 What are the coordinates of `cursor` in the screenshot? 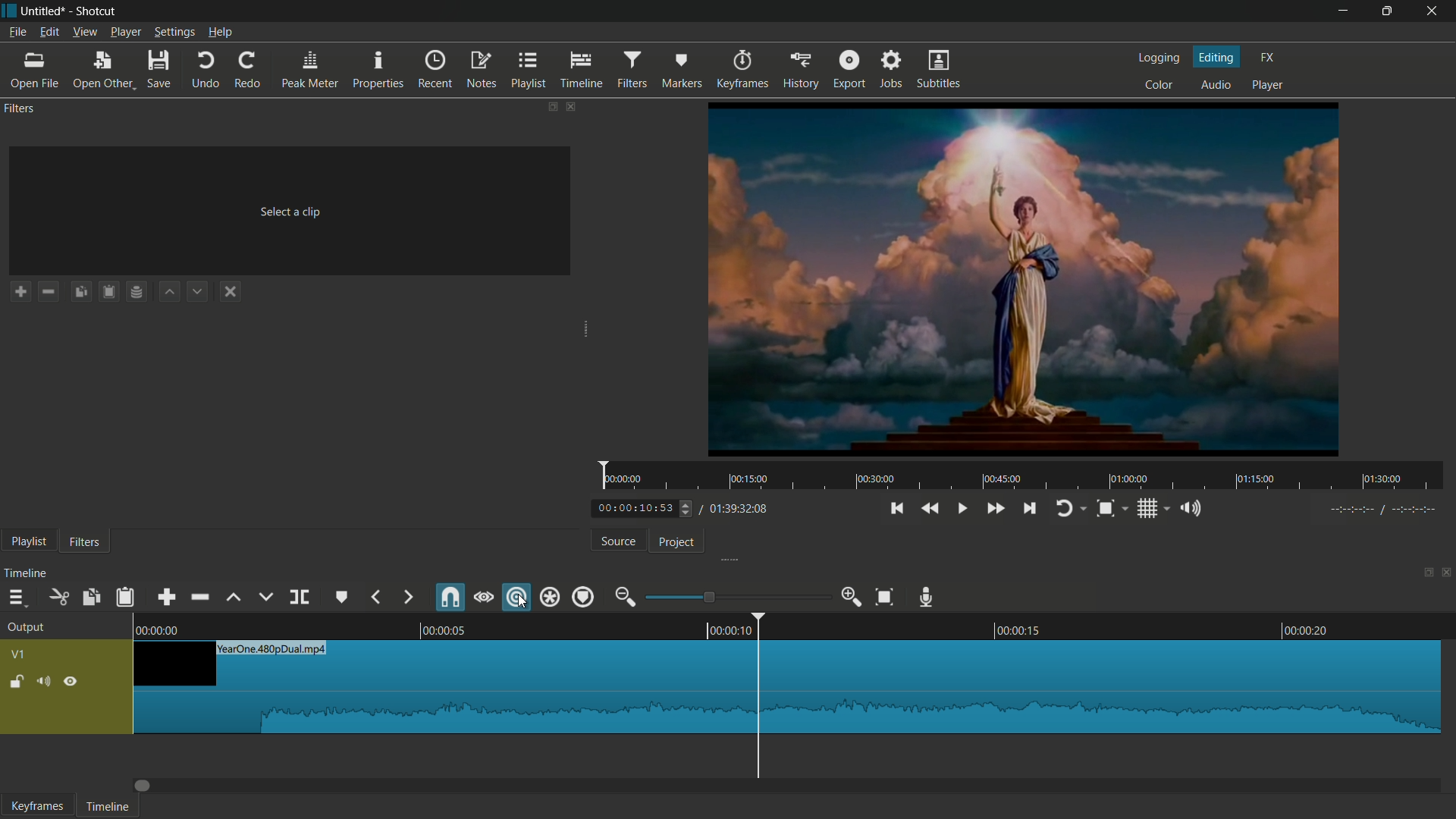 It's located at (524, 604).